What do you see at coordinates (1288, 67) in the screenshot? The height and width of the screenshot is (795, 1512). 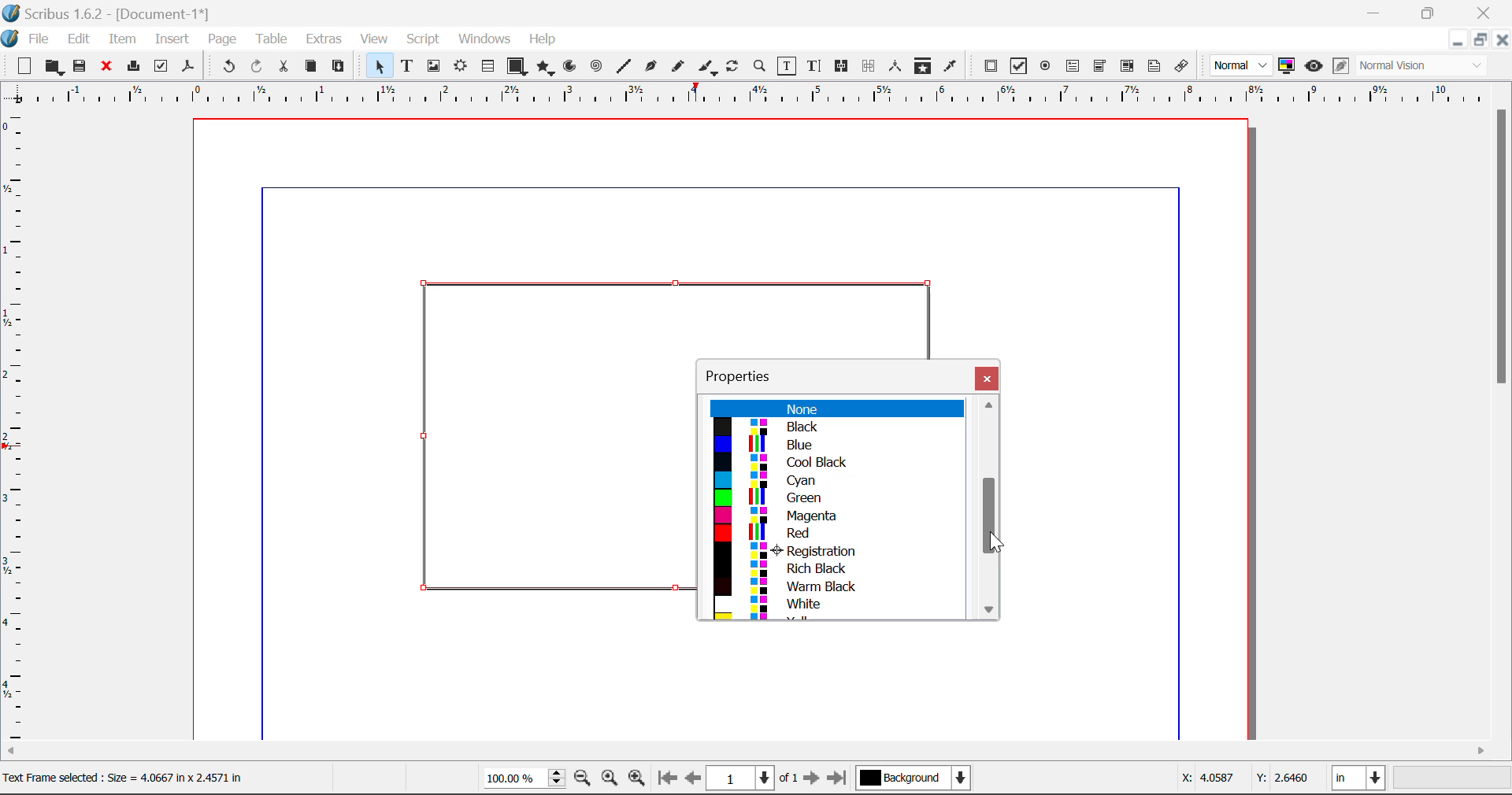 I see `Toggle Color Management` at bounding box center [1288, 67].